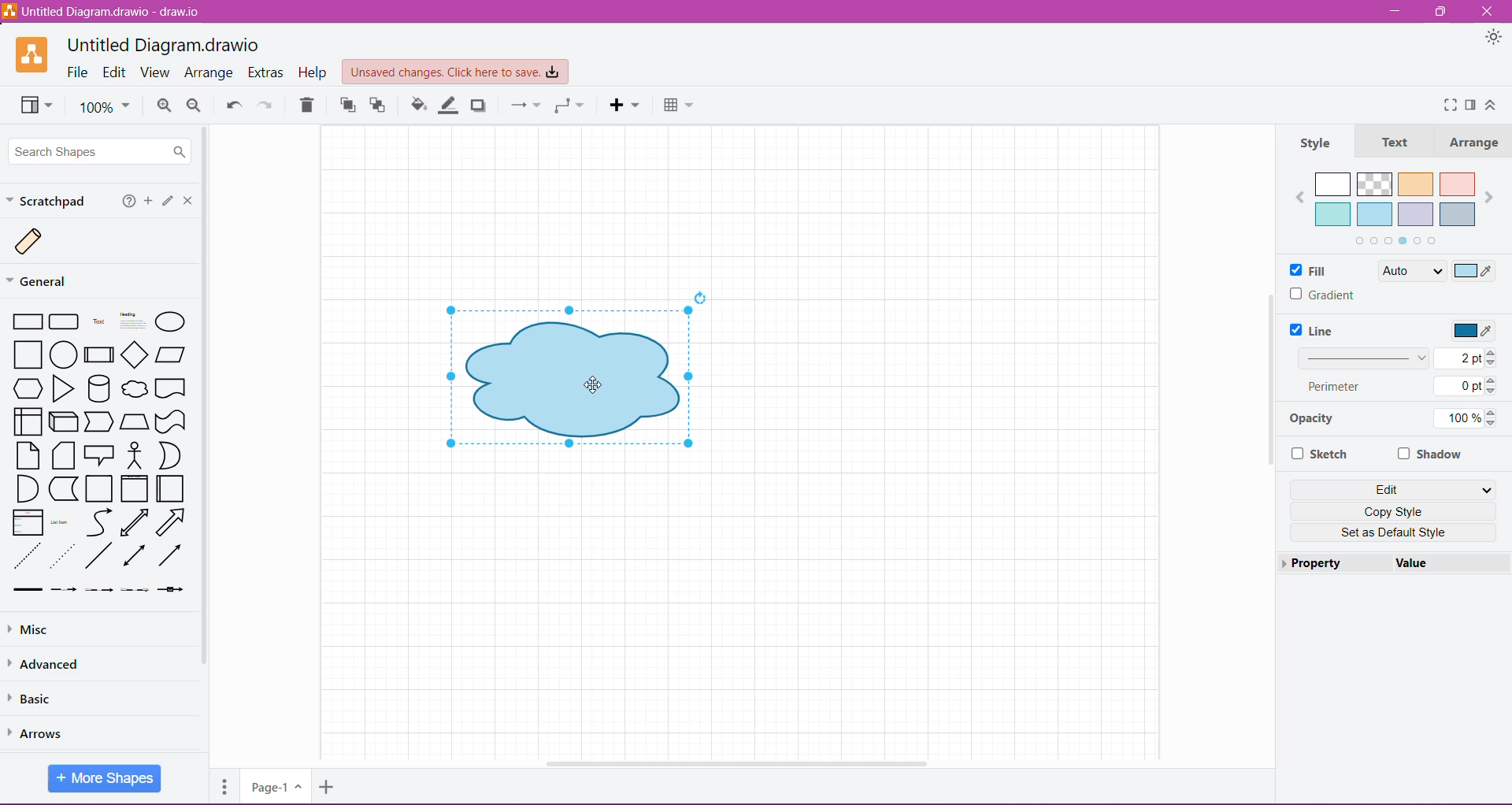  I want to click on Help, so click(314, 73).